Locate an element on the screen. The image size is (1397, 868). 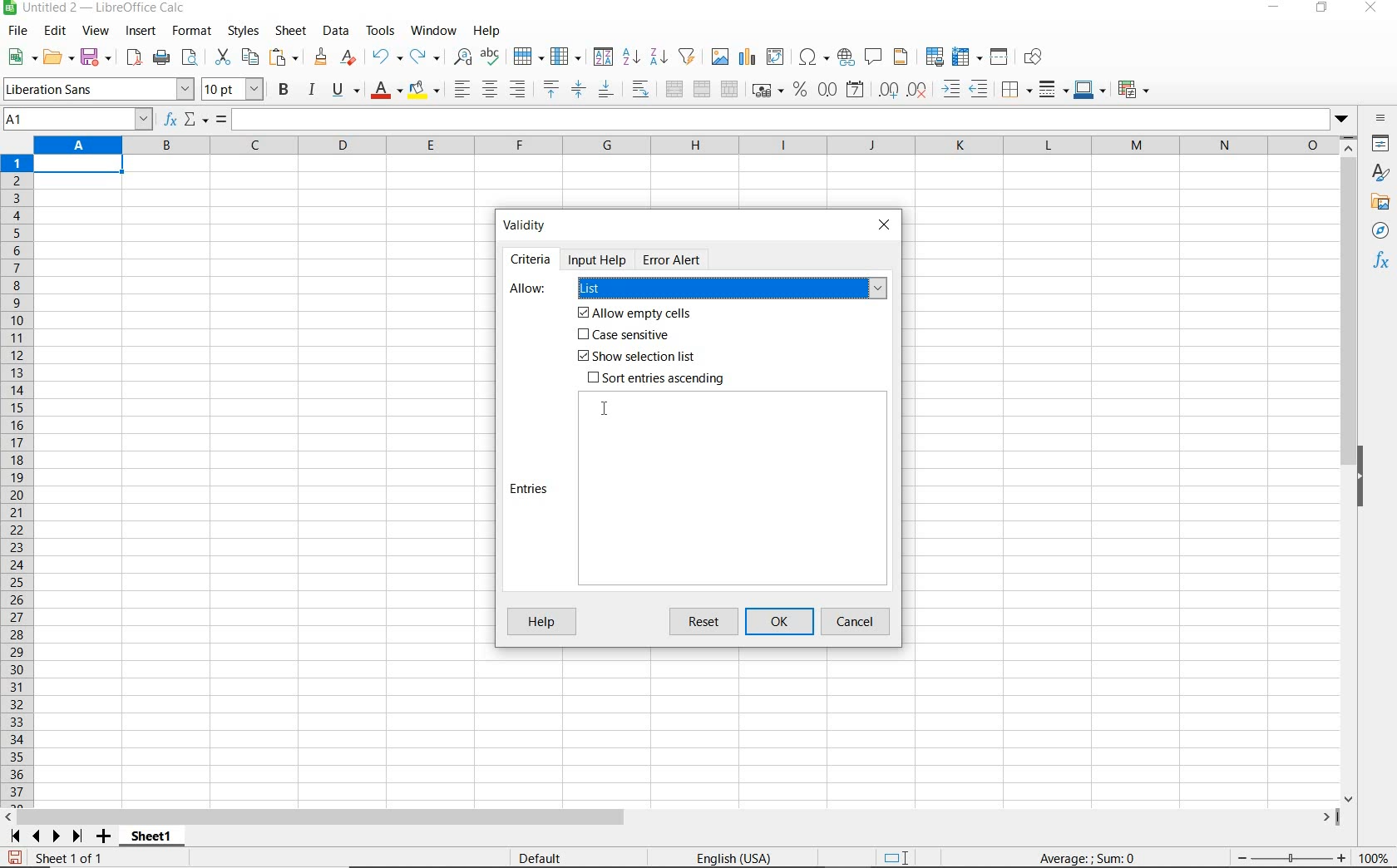
Validity is located at coordinates (526, 224).